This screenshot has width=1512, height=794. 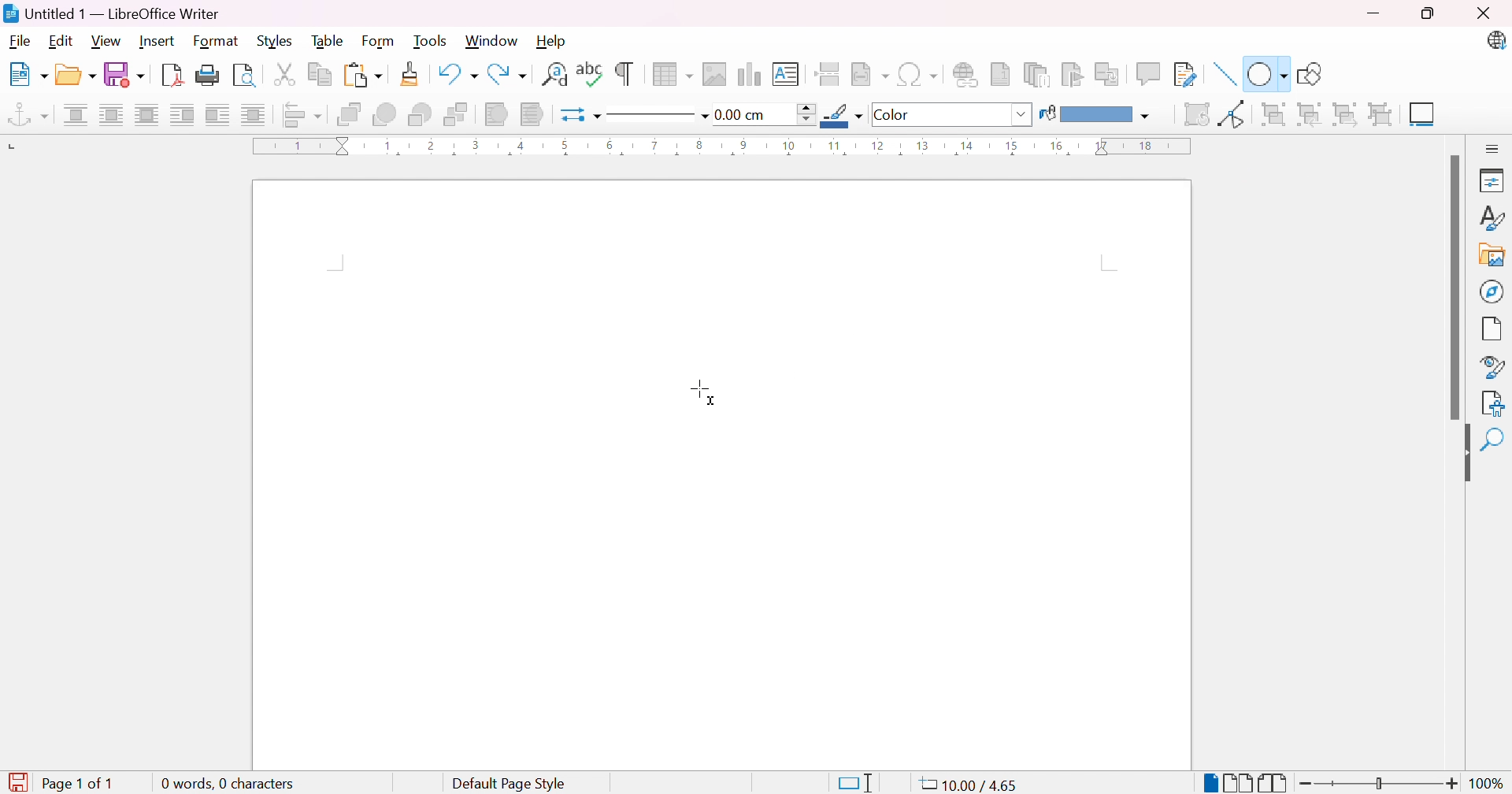 I want to click on Redo, so click(x=508, y=74).